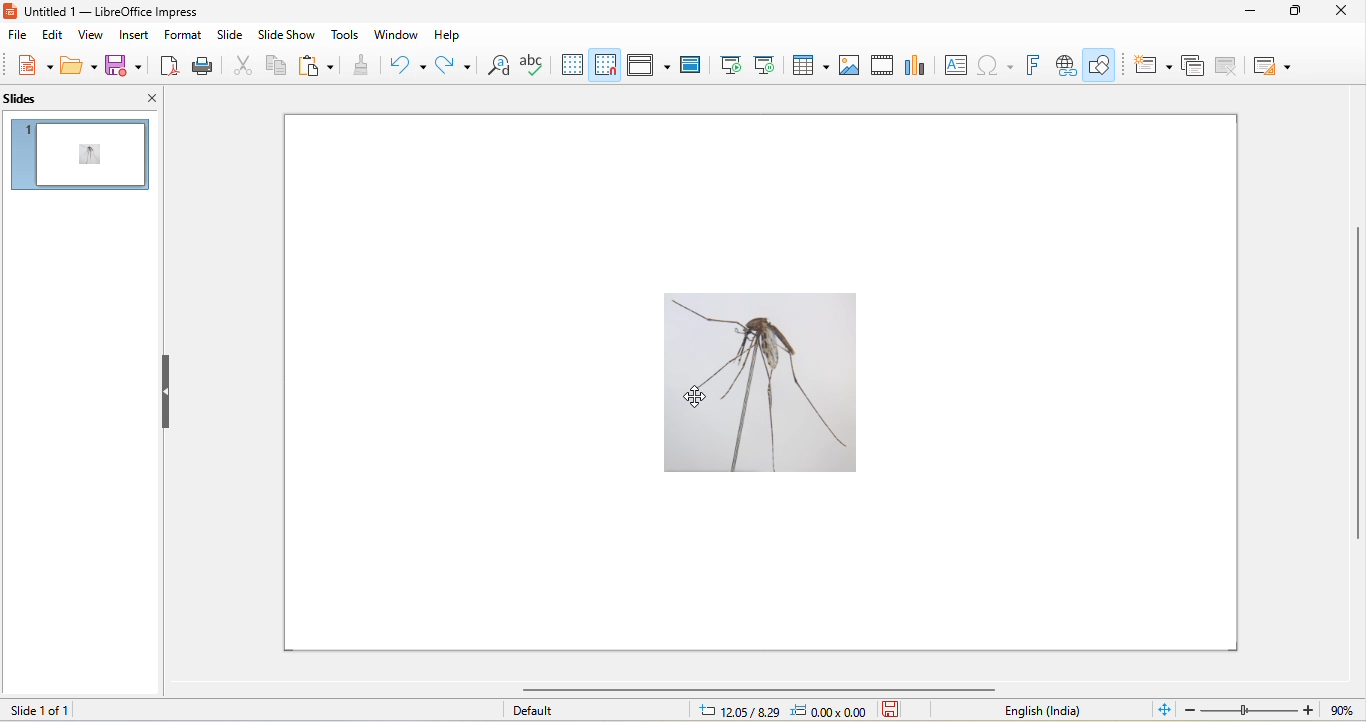 This screenshot has height=722, width=1366. What do you see at coordinates (1346, 12) in the screenshot?
I see `close` at bounding box center [1346, 12].